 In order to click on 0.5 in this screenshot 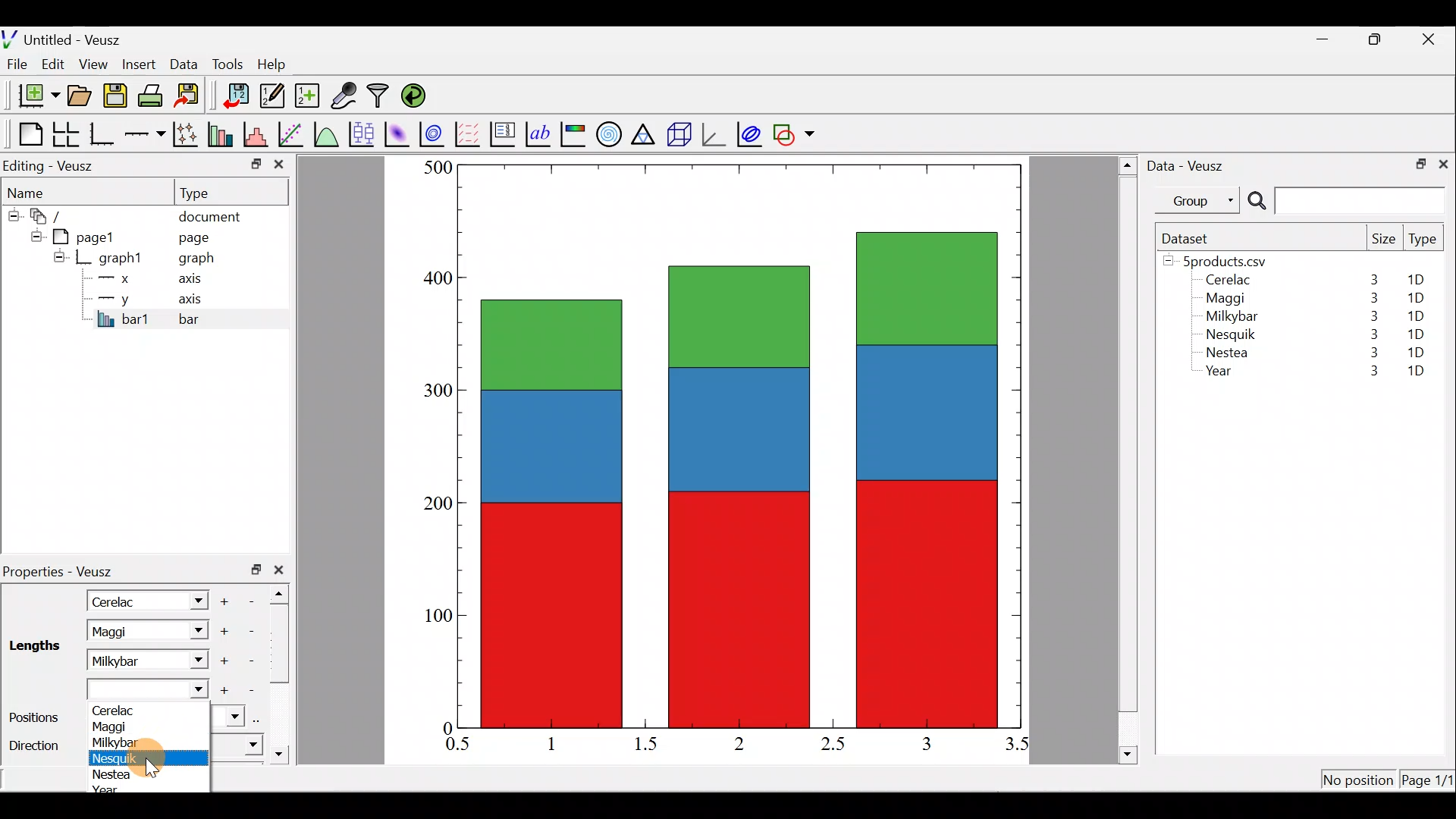, I will do `click(458, 746)`.